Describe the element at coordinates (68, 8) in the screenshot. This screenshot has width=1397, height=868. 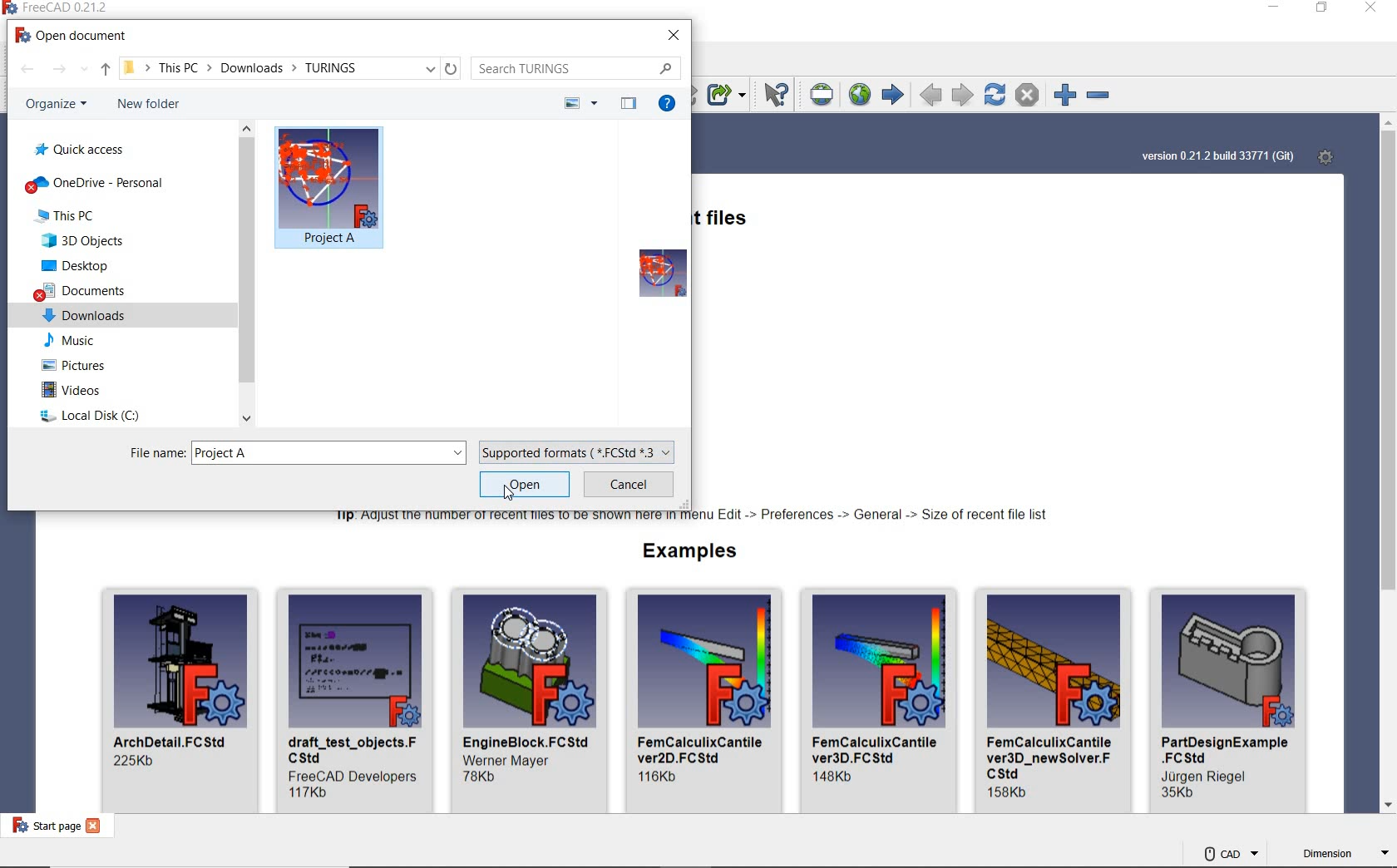
I see `SYSTEM NAME` at that location.